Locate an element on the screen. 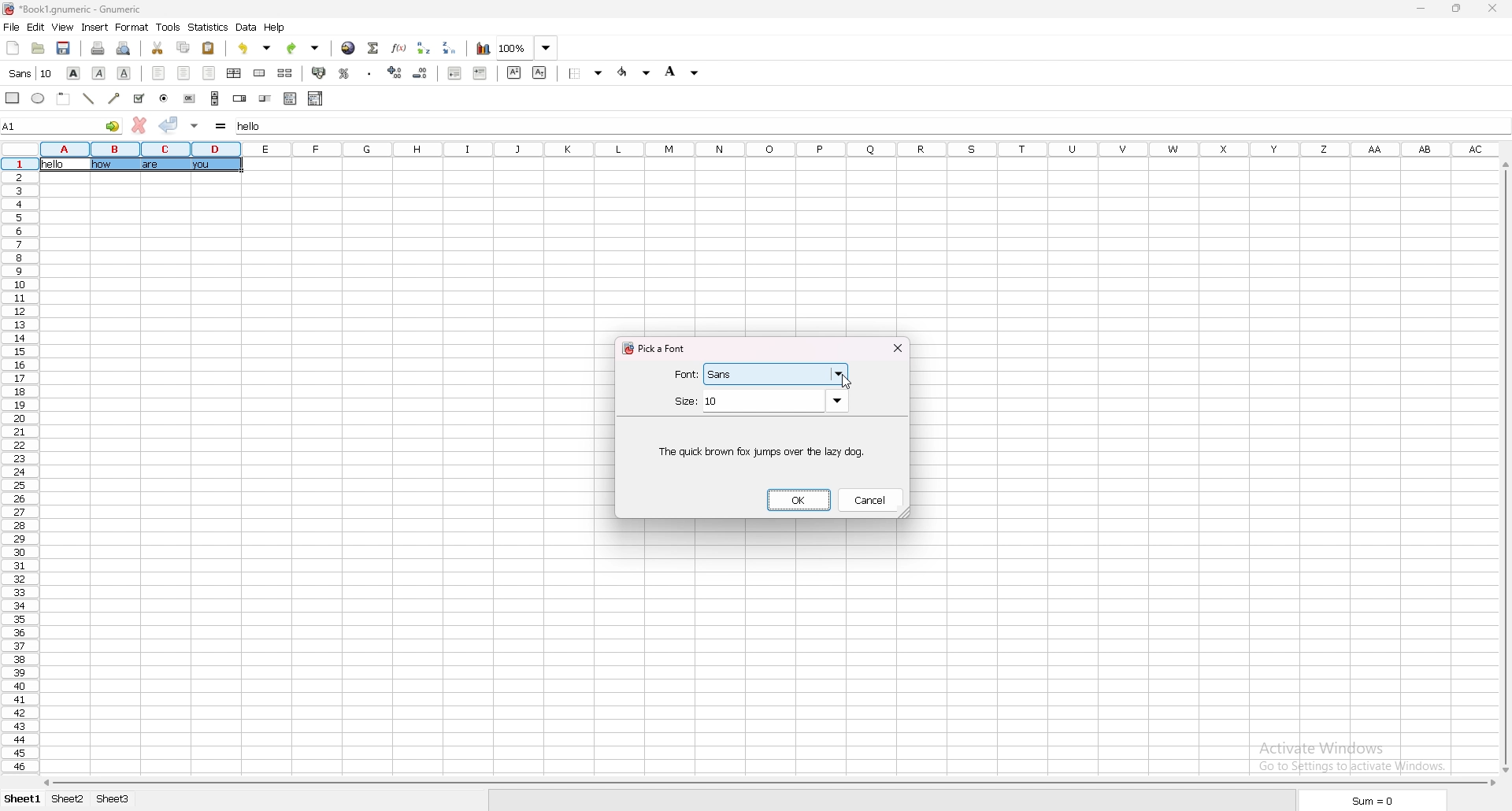 The image size is (1512, 811). resize is located at coordinates (1459, 8).